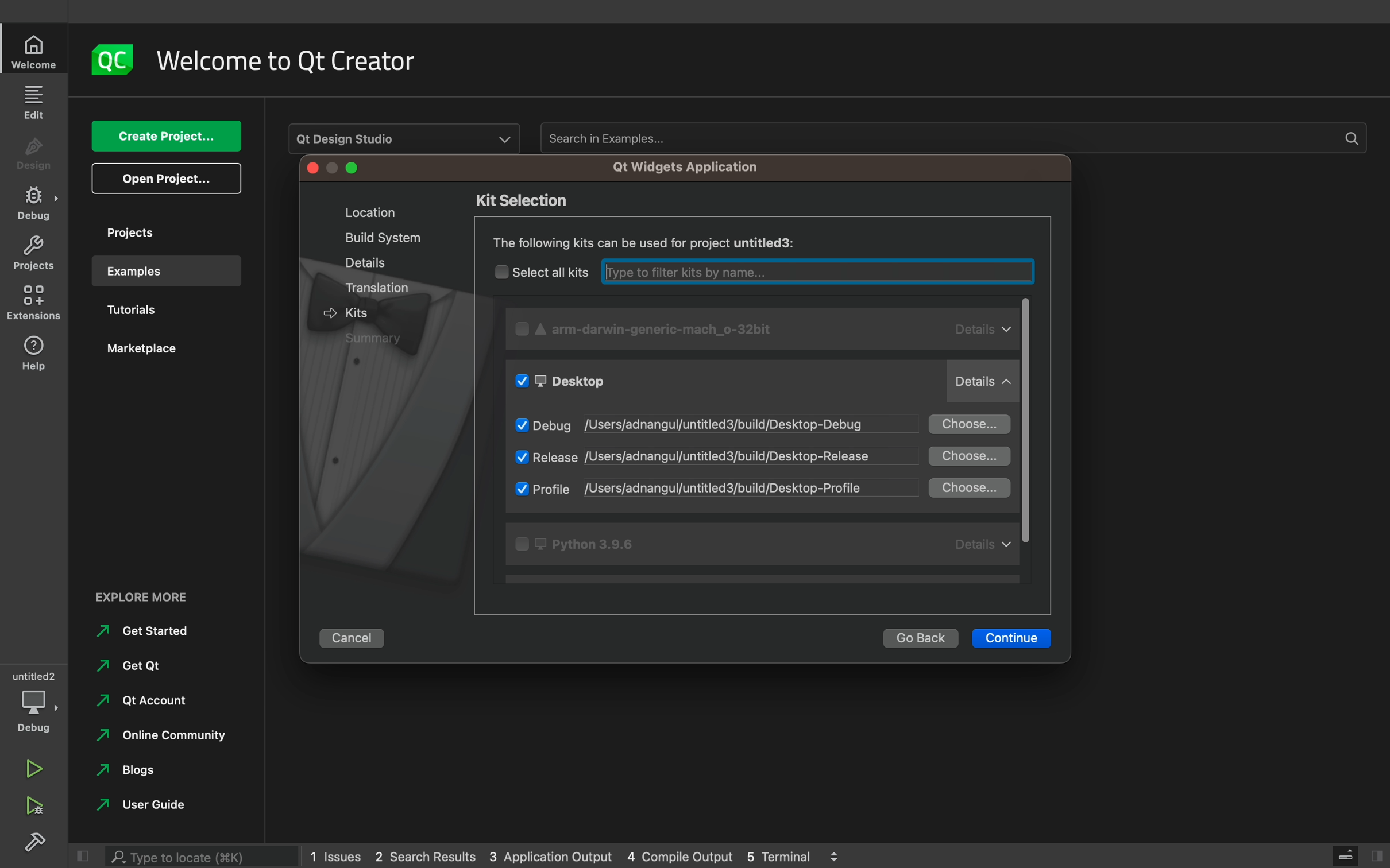  I want to click on explore more, so click(150, 595).